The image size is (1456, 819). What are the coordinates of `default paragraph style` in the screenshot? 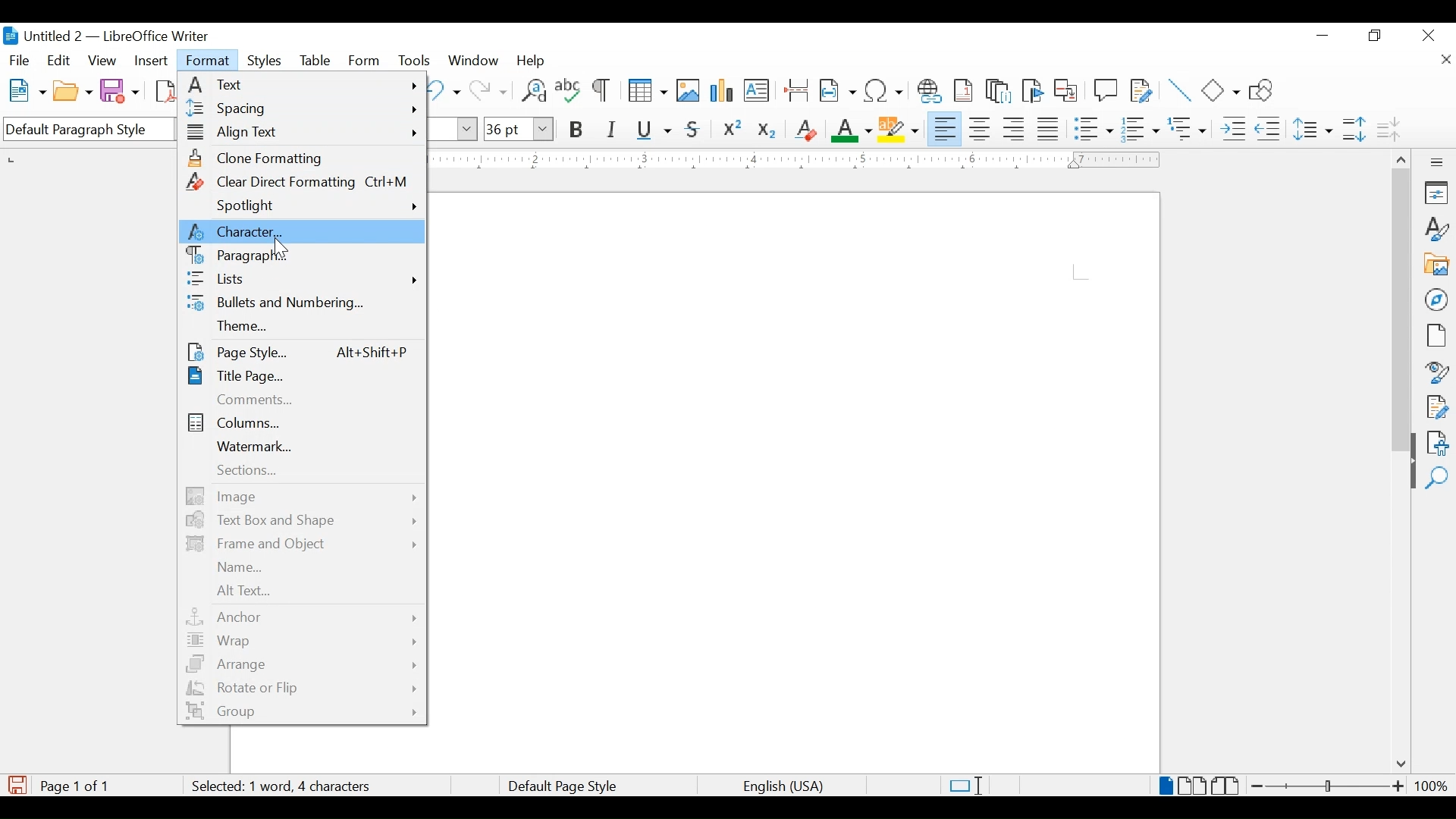 It's located at (86, 130).